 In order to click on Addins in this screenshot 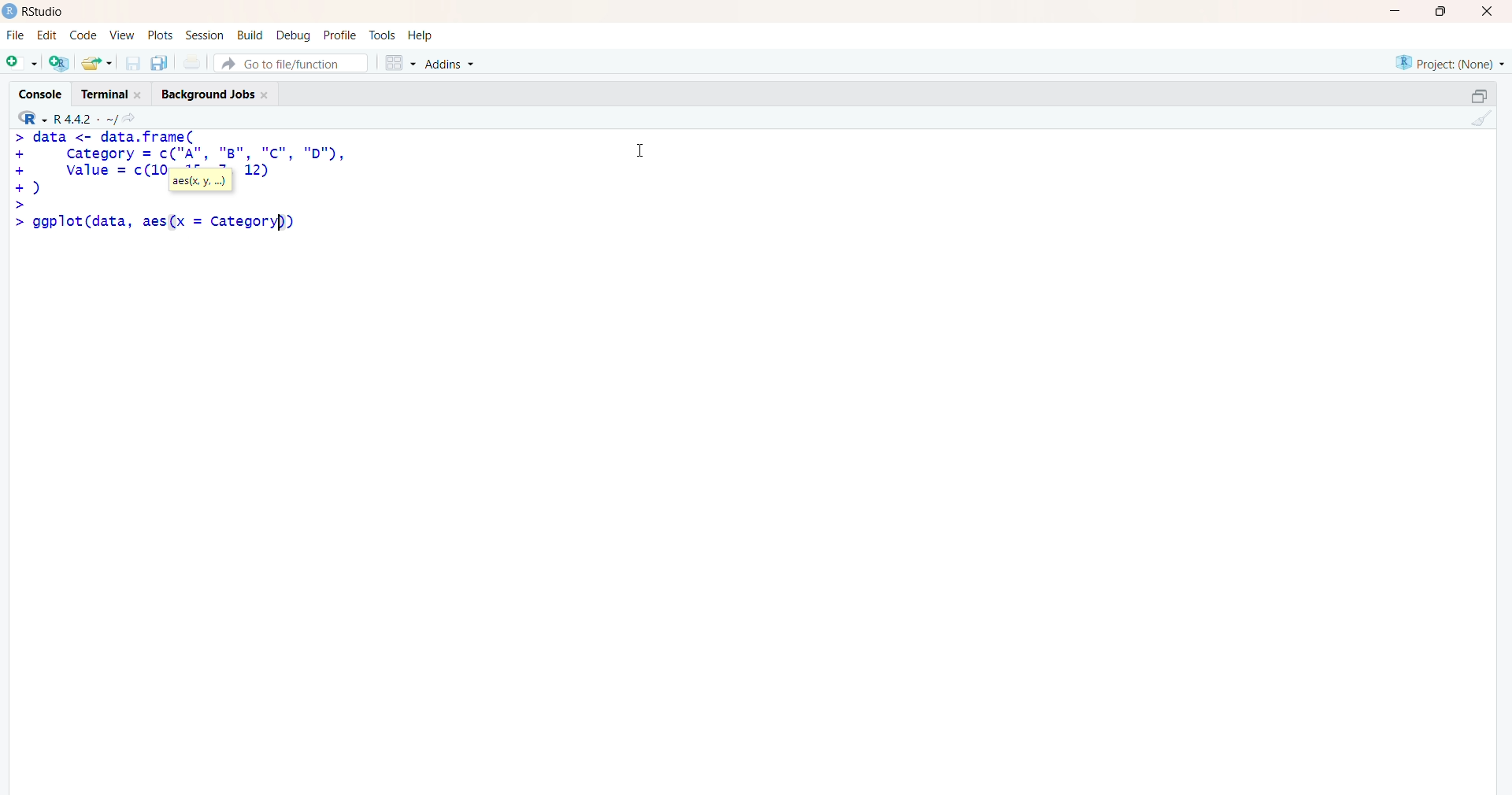, I will do `click(453, 65)`.